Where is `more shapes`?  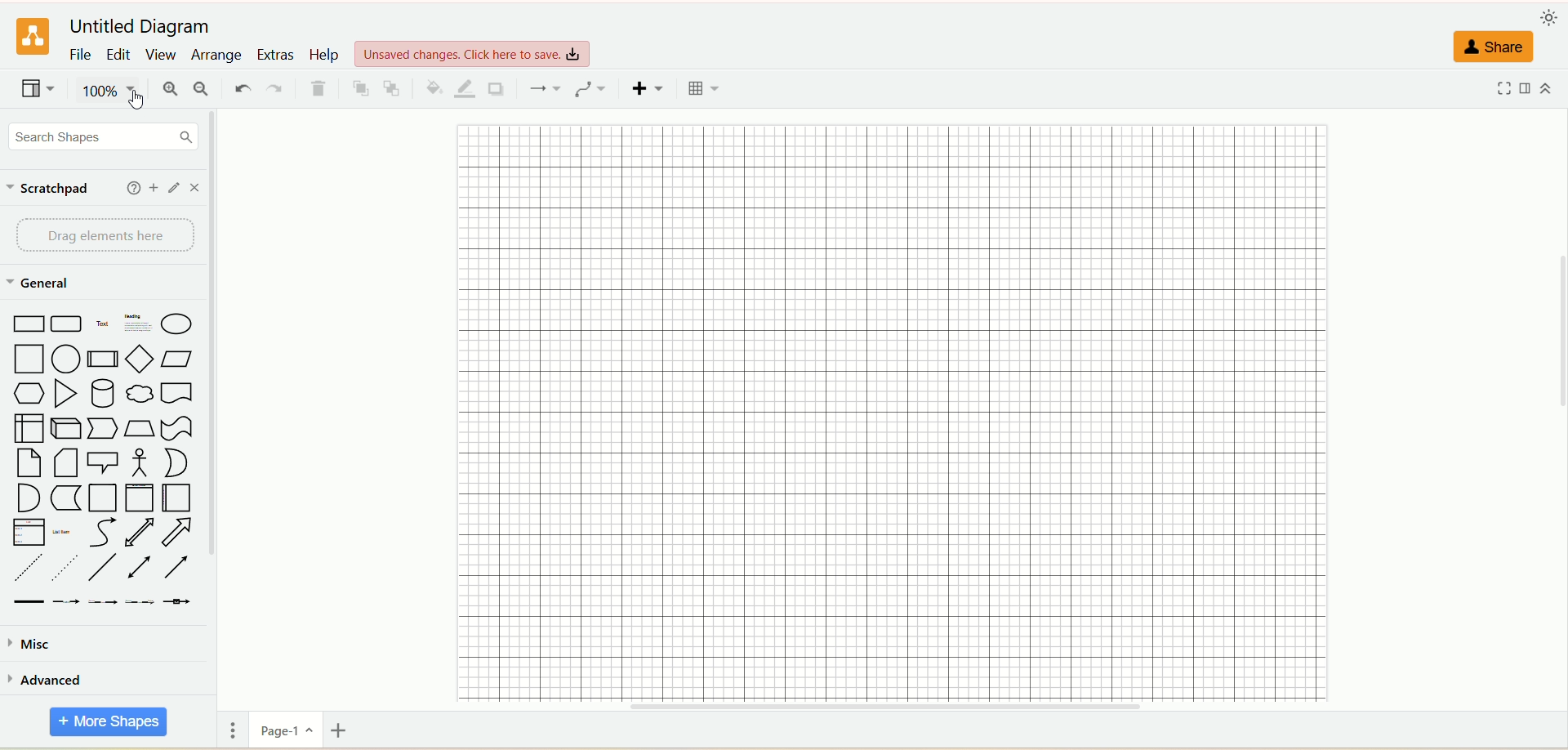 more shapes is located at coordinates (107, 722).